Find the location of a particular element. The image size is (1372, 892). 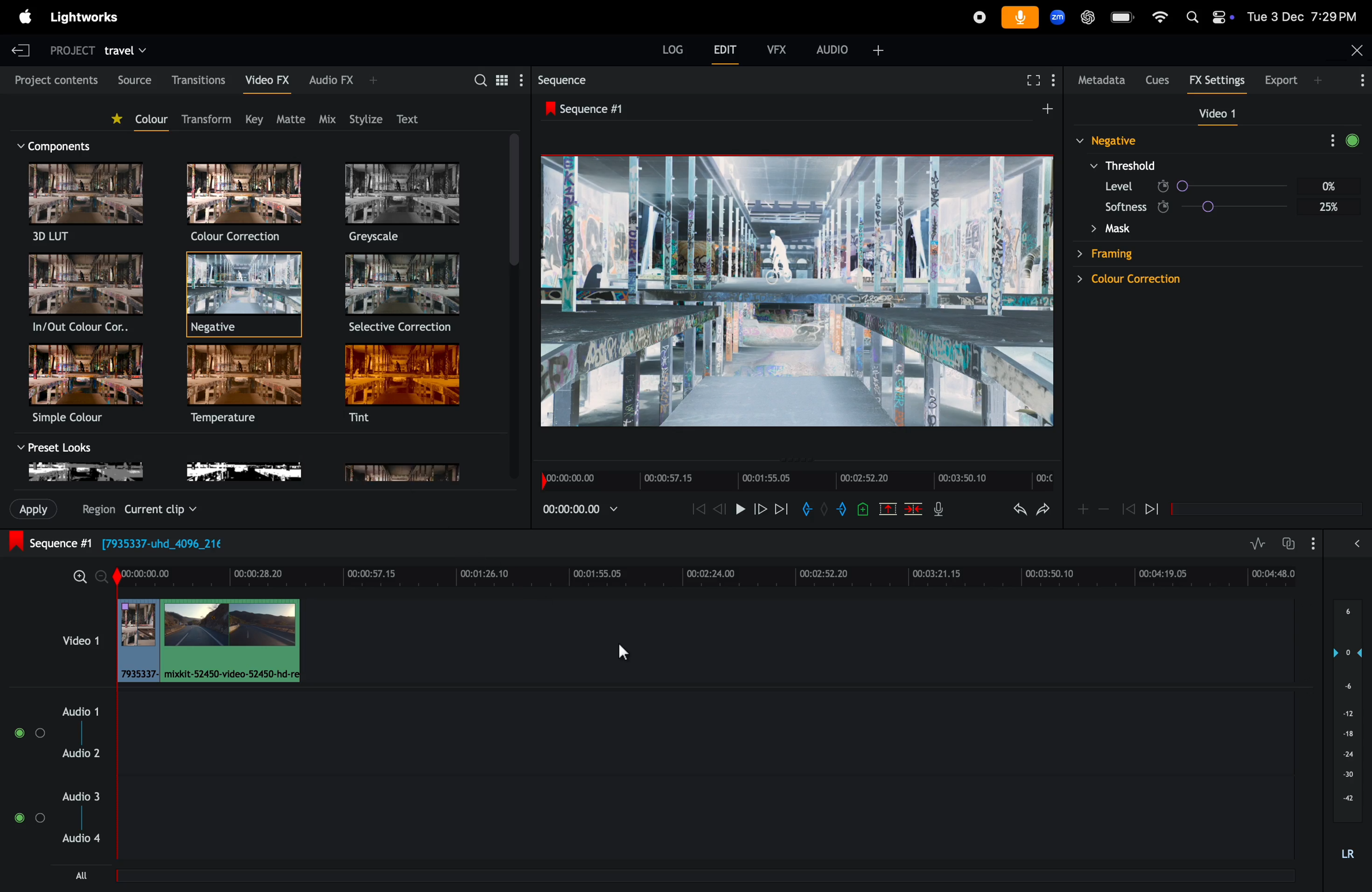

battery is located at coordinates (1123, 17).